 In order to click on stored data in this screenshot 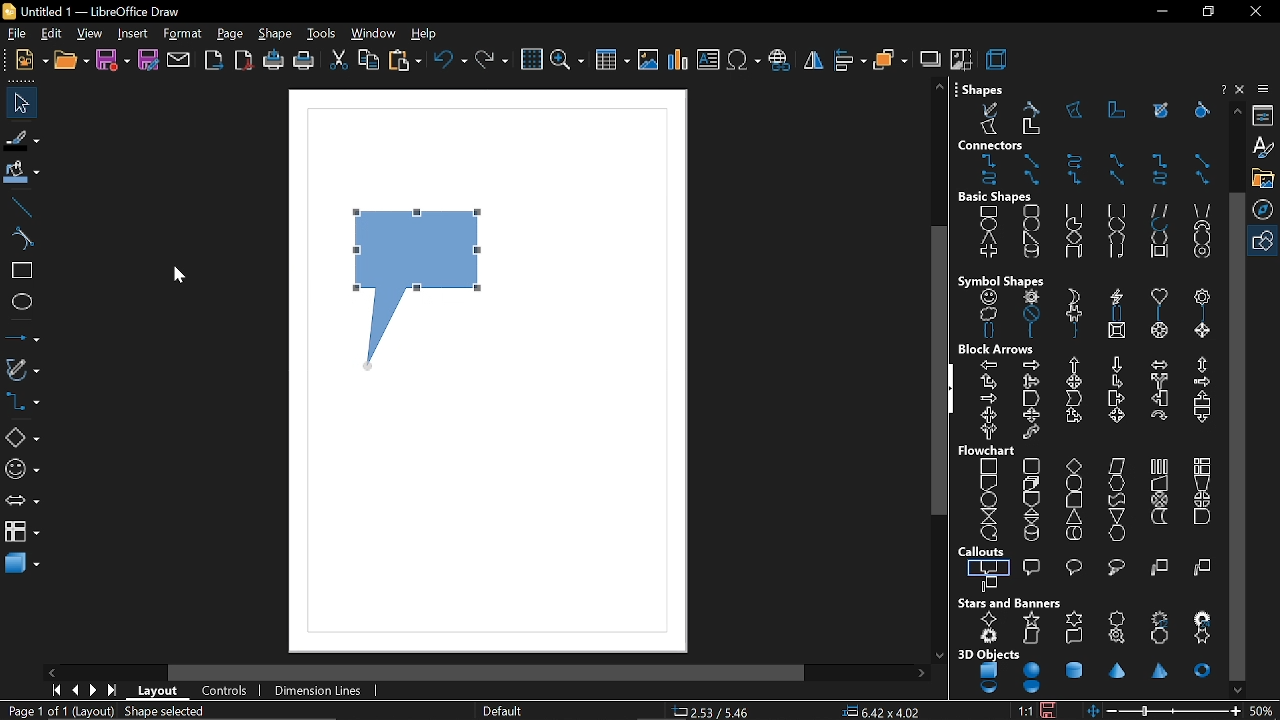, I will do `click(1158, 517)`.